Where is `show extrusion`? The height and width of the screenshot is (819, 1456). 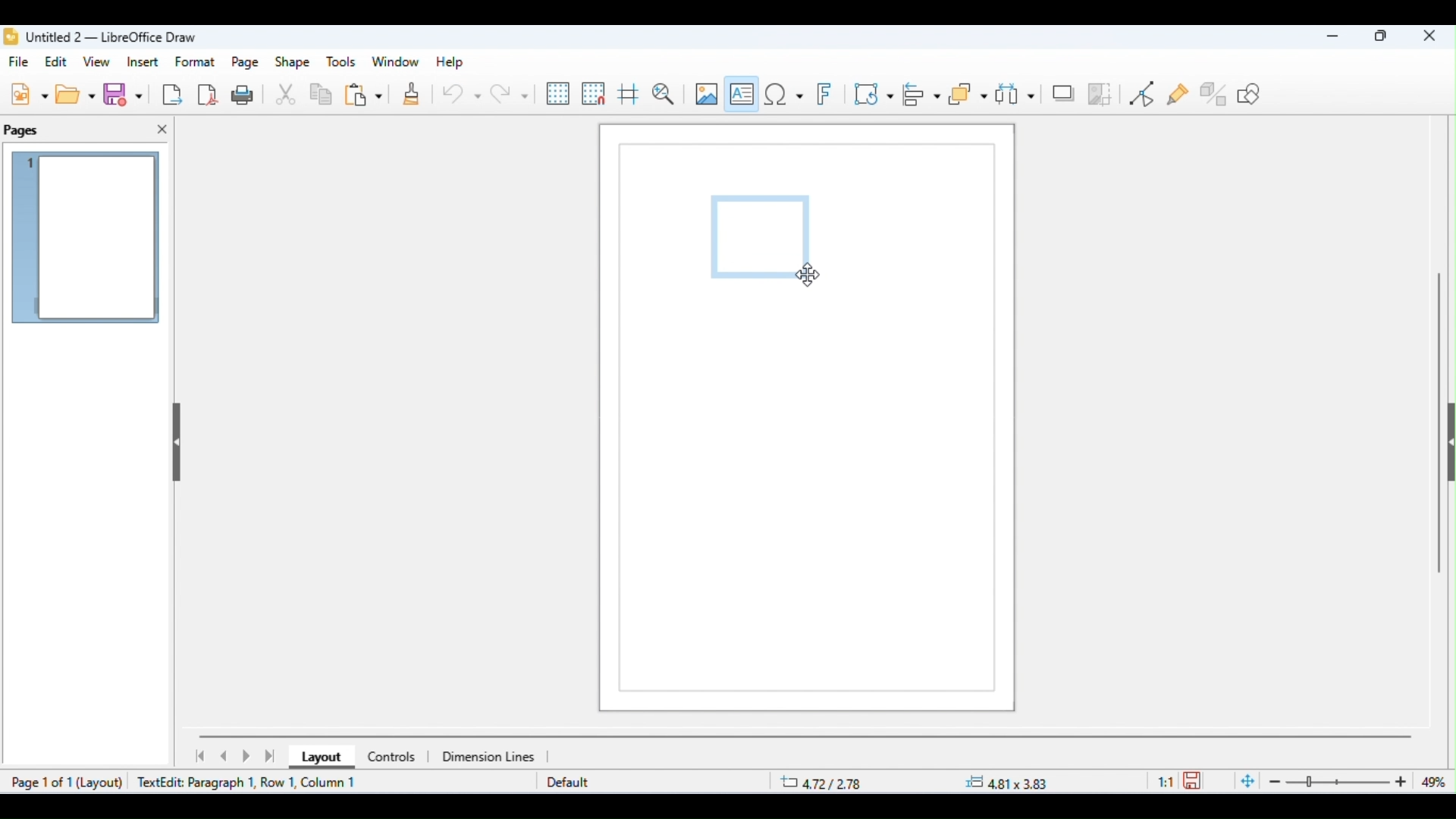 show extrusion is located at coordinates (1215, 93).